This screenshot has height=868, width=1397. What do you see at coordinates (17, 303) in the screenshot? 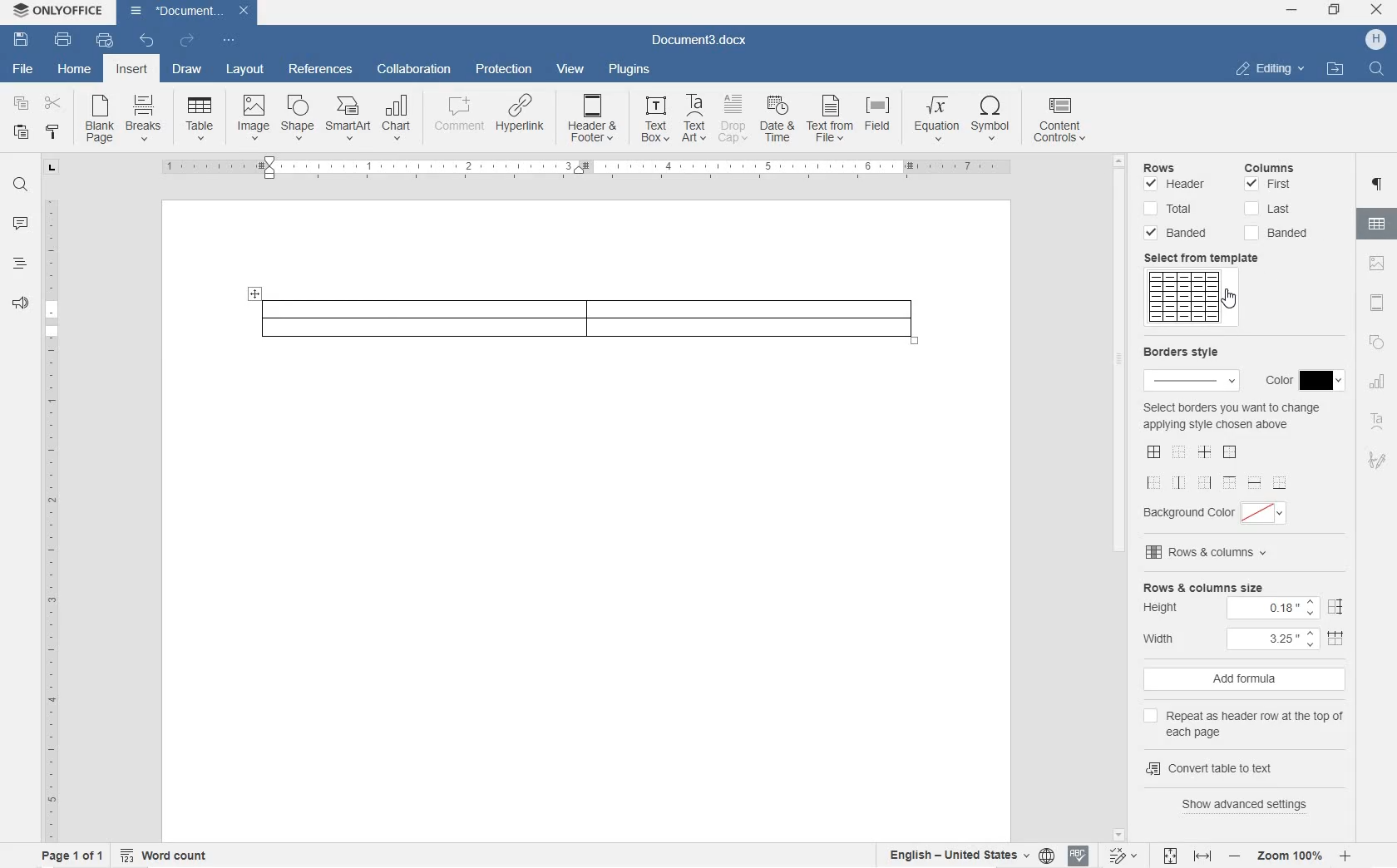
I see `FEEDBACK & SUPPORT` at bounding box center [17, 303].